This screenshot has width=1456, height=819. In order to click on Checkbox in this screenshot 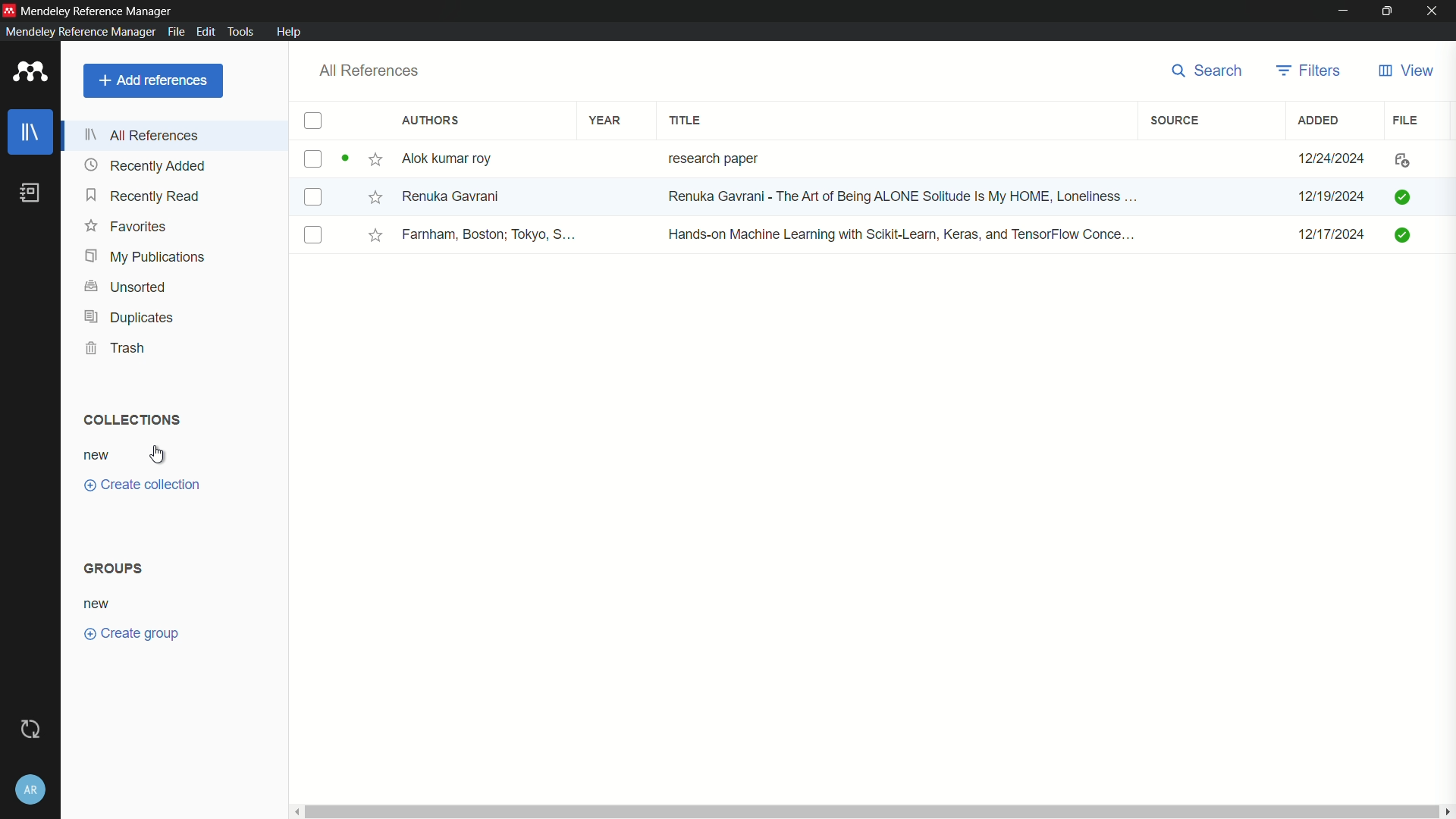, I will do `click(311, 199)`.